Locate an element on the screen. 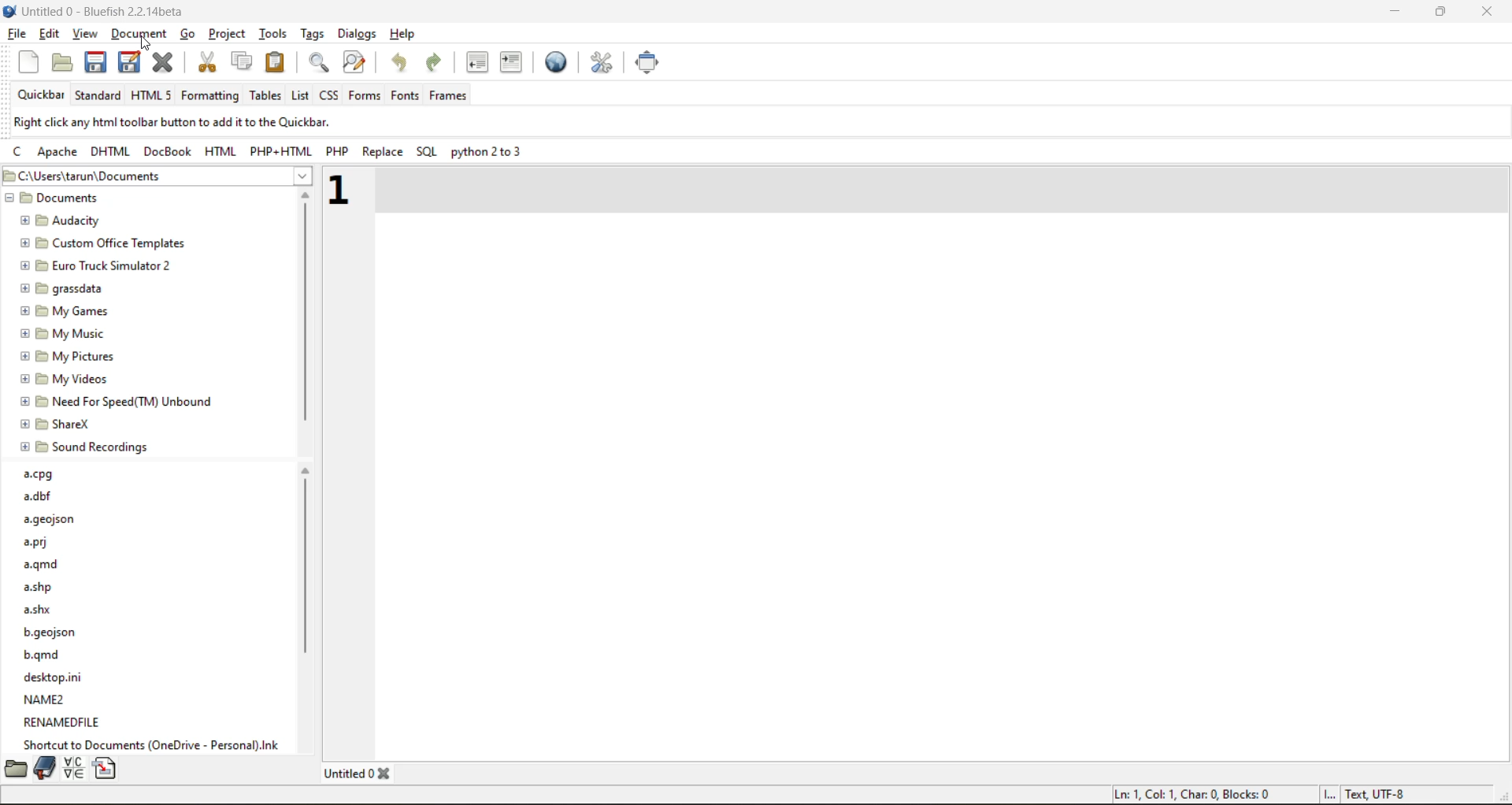 The image size is (1512, 805). tools is located at coordinates (274, 33).